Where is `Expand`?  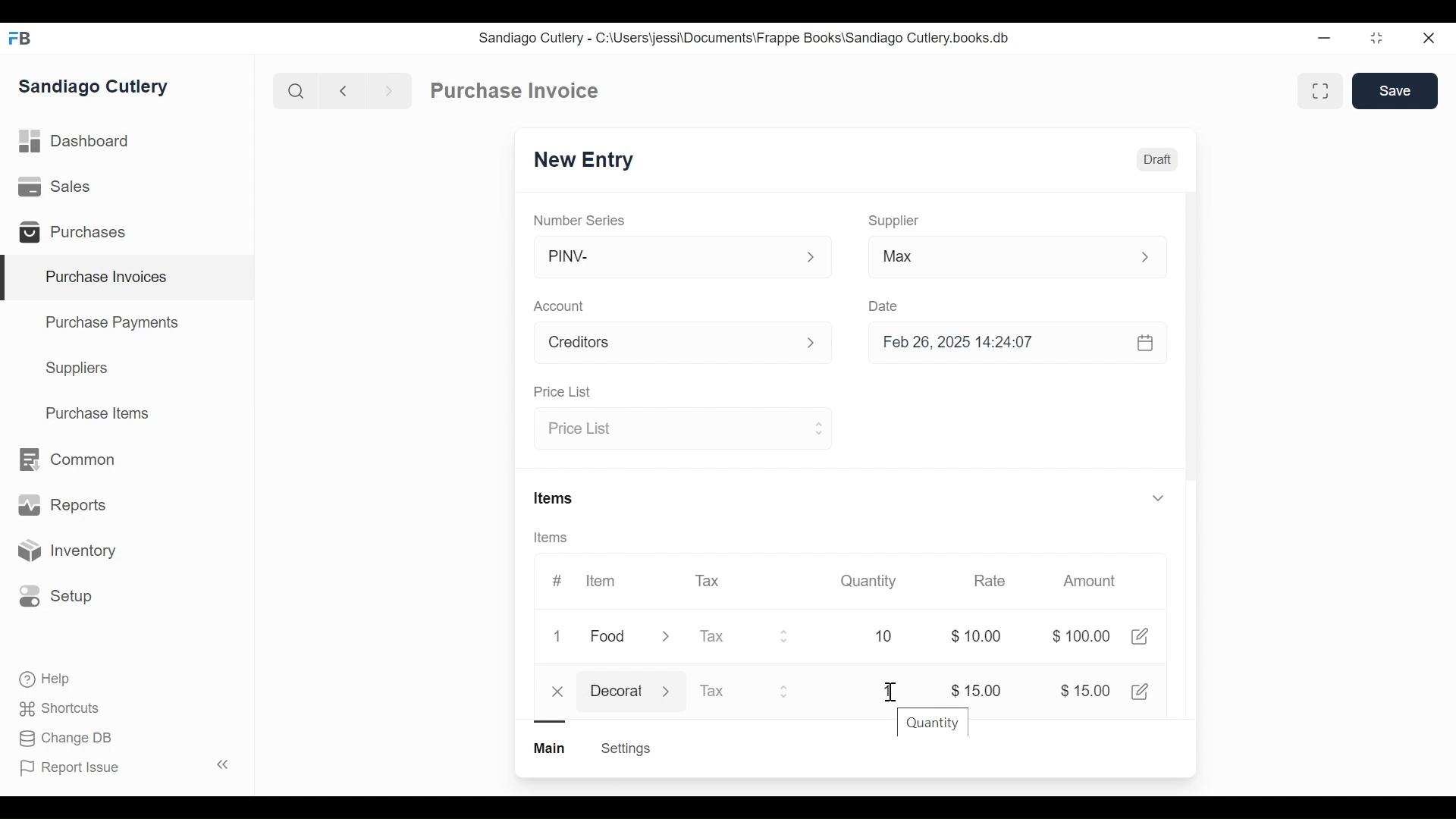
Expand is located at coordinates (811, 258).